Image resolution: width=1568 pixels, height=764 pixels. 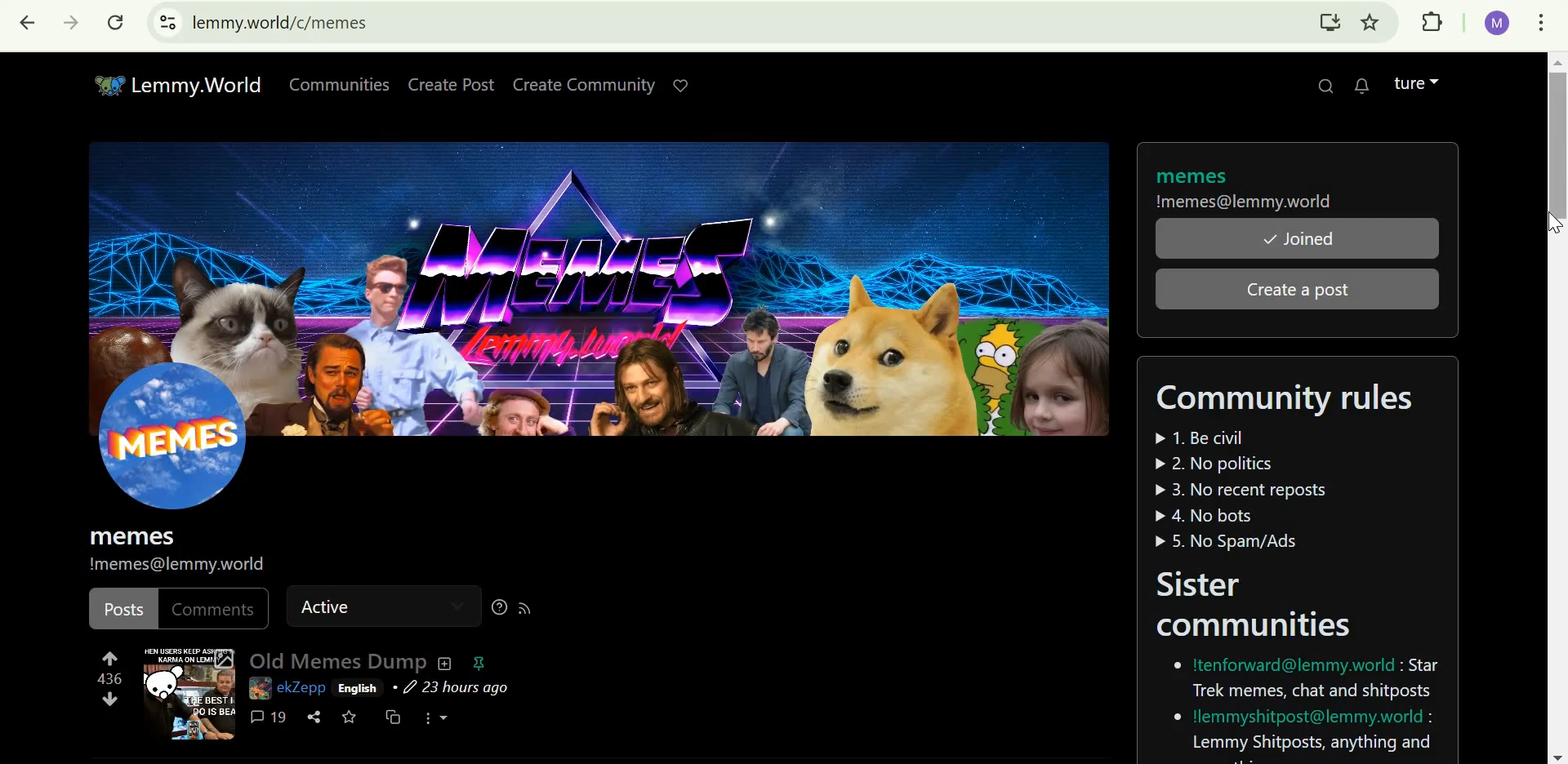 What do you see at coordinates (499, 609) in the screenshot?
I see `sorting help` at bounding box center [499, 609].